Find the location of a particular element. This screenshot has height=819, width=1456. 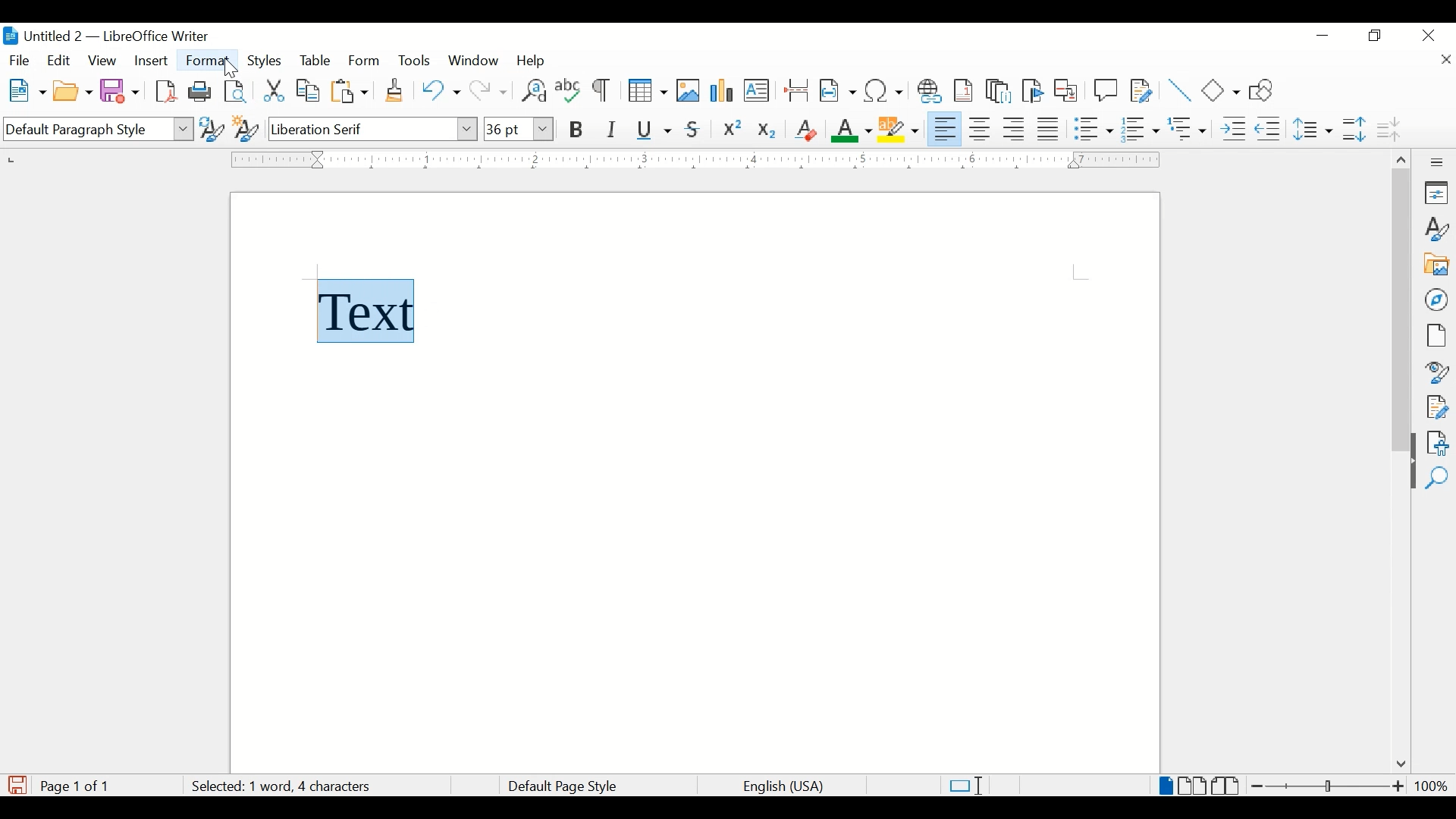

align right is located at coordinates (1015, 129).